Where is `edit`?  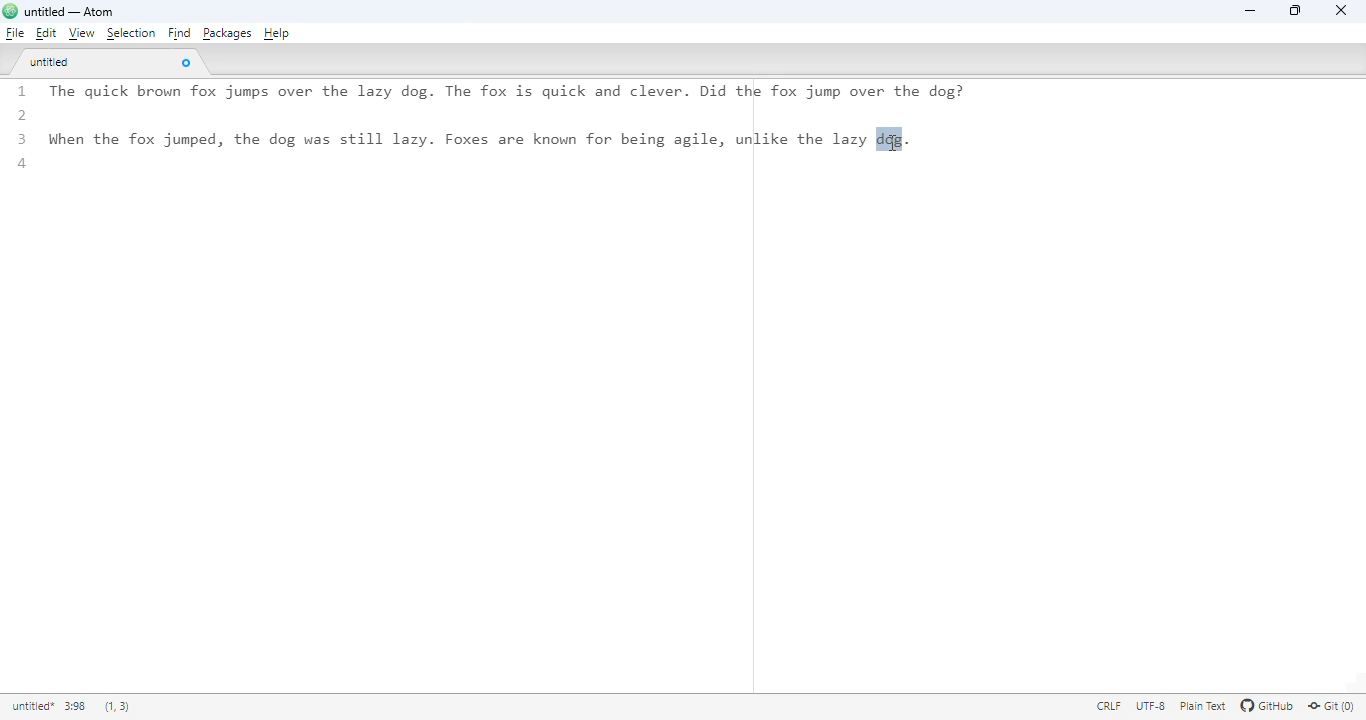
edit is located at coordinates (45, 33).